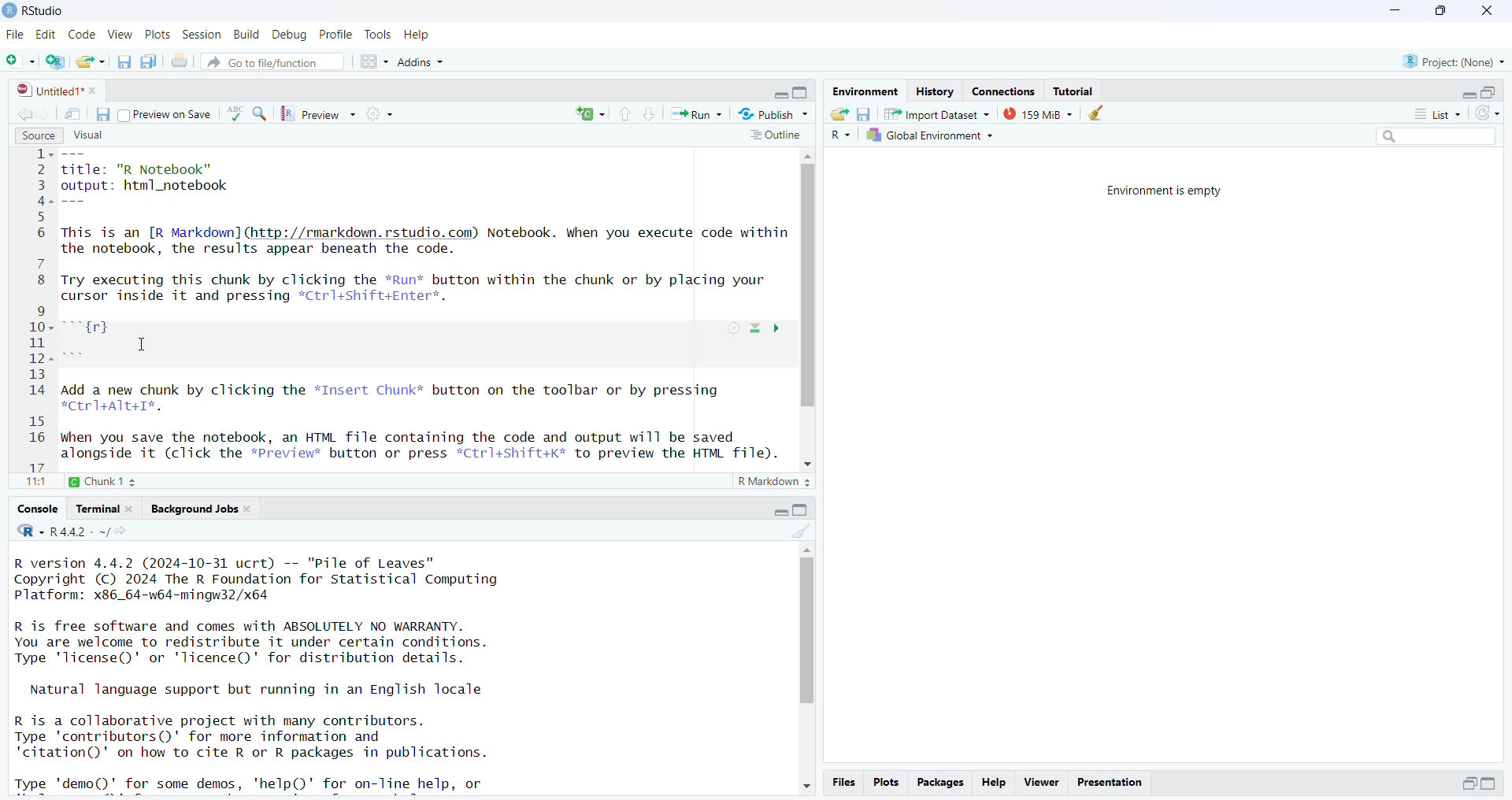  What do you see at coordinates (126, 61) in the screenshot?
I see `save current document` at bounding box center [126, 61].